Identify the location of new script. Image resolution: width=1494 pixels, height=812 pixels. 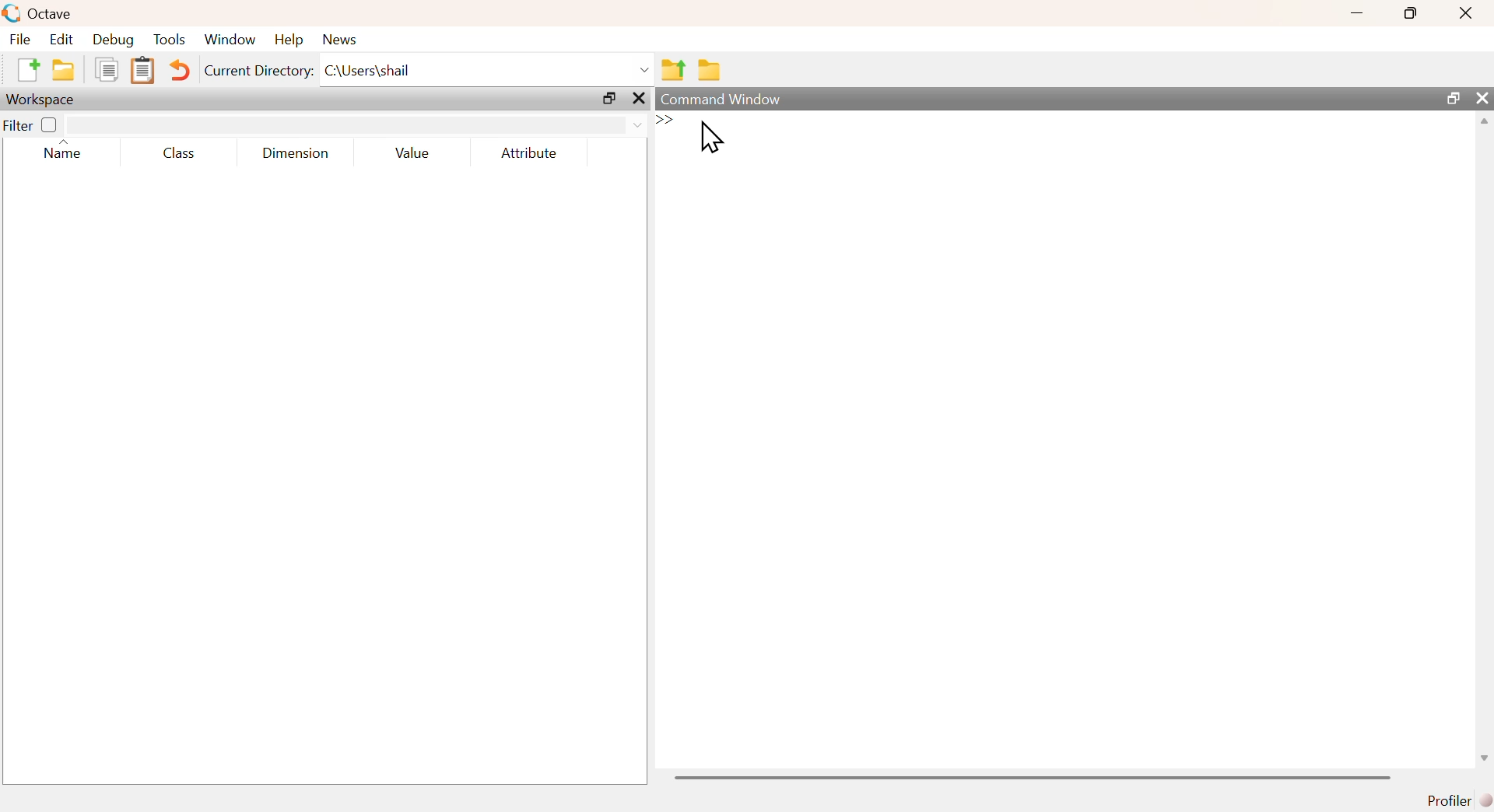
(26, 68).